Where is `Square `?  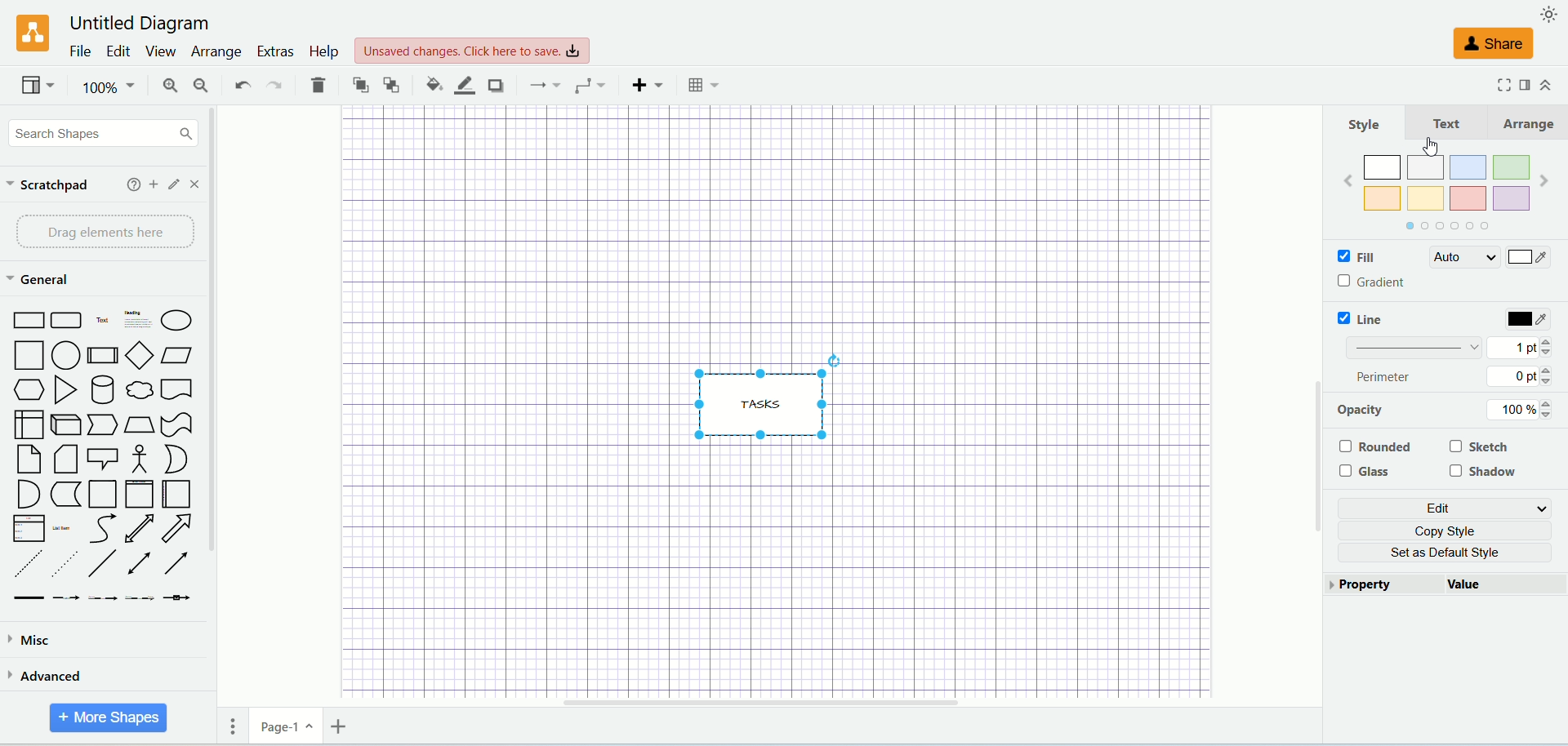
Square  is located at coordinates (27, 355).